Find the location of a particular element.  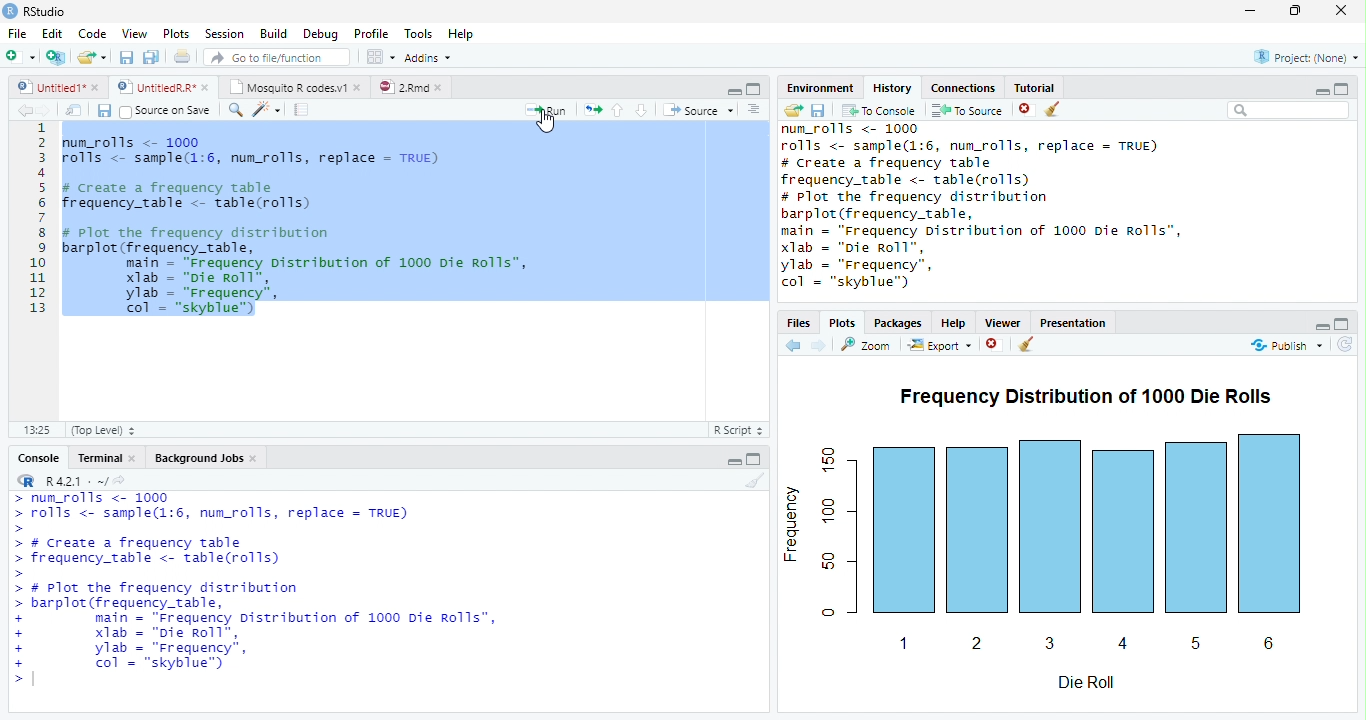

Packages is located at coordinates (899, 322).